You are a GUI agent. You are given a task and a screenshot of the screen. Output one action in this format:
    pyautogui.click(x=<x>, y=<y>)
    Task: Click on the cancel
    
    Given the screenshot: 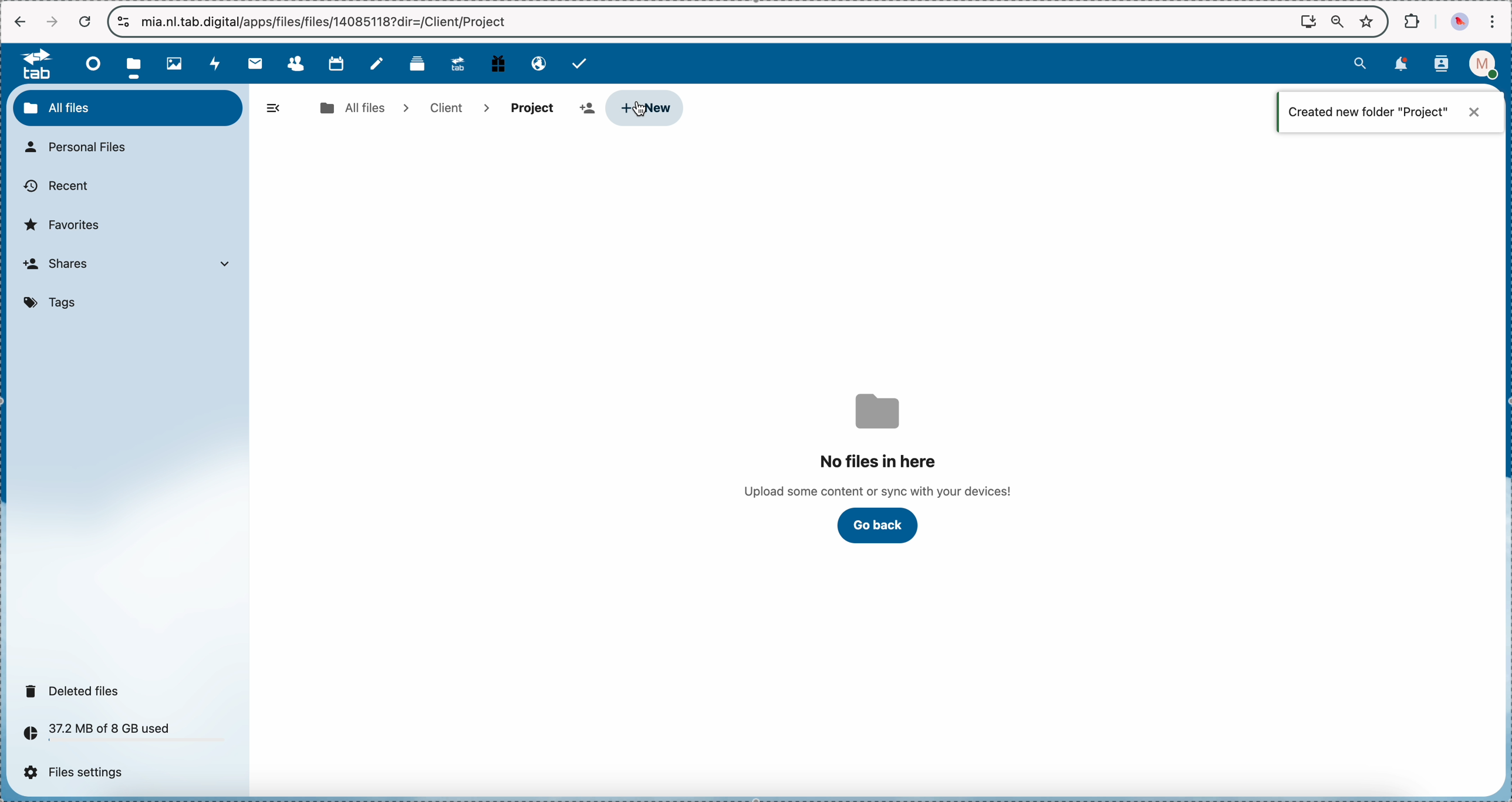 What is the action you would take?
    pyautogui.click(x=84, y=22)
    